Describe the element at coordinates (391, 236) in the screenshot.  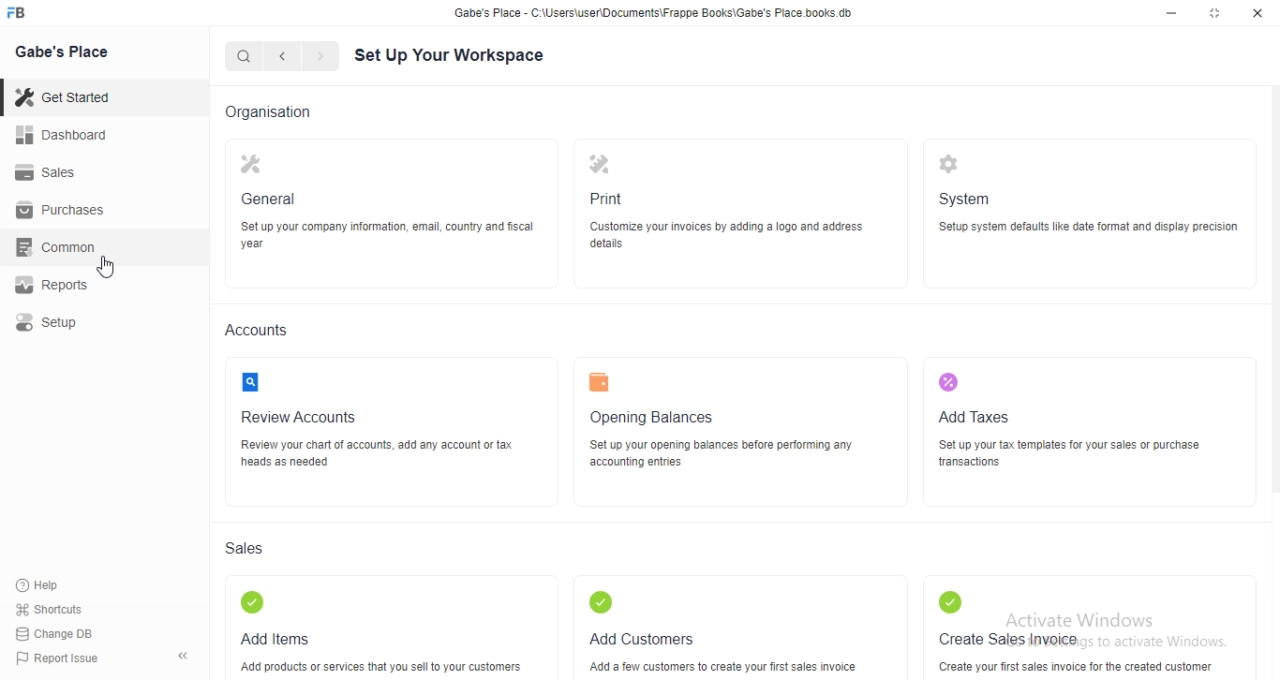
I see `Setup your ‘company information. email\ email. country and fiscal` at that location.